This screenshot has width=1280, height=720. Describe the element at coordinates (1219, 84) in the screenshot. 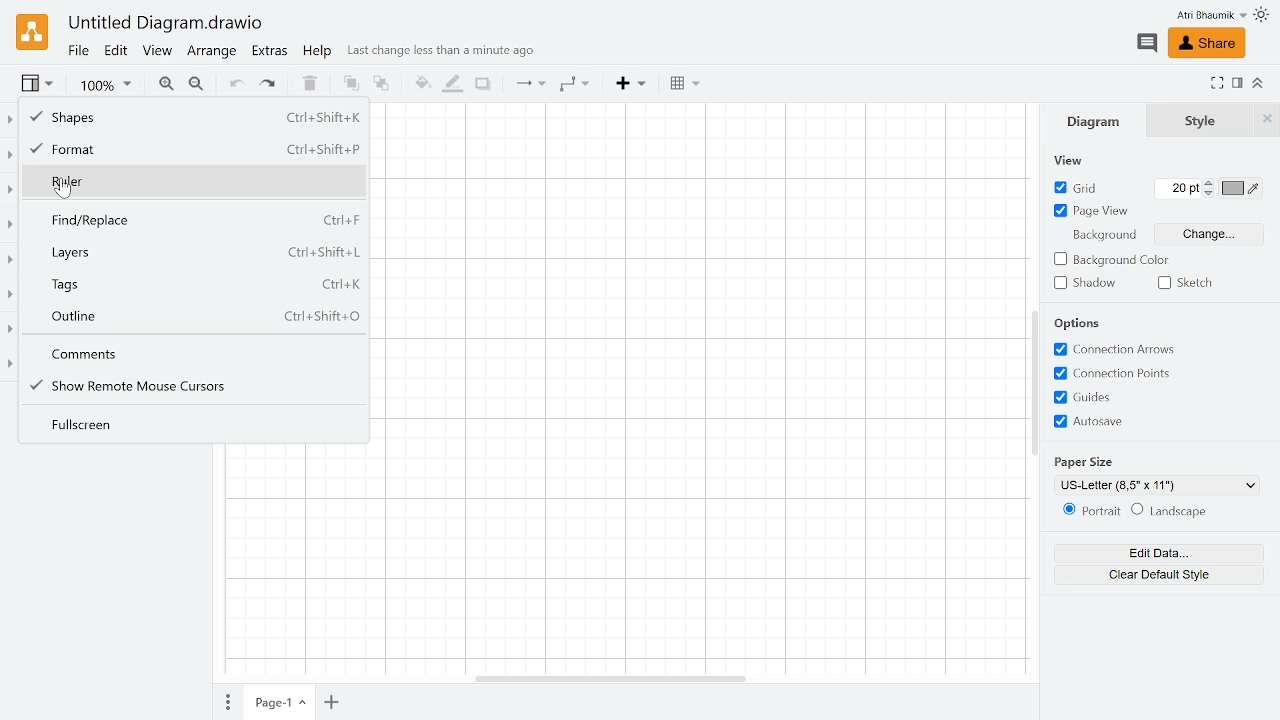

I see `Fullscreen` at that location.